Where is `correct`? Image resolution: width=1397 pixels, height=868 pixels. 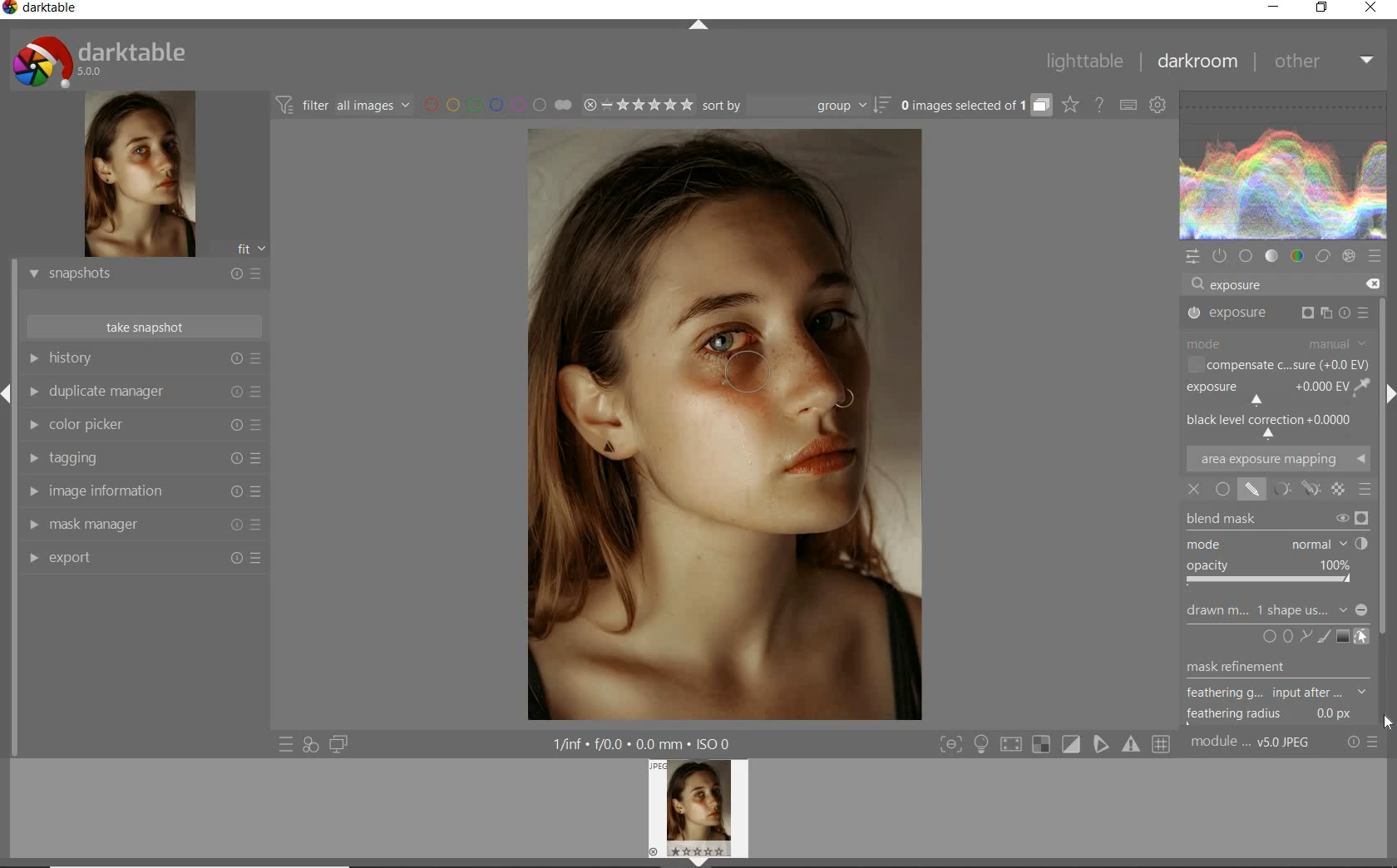 correct is located at coordinates (1324, 254).